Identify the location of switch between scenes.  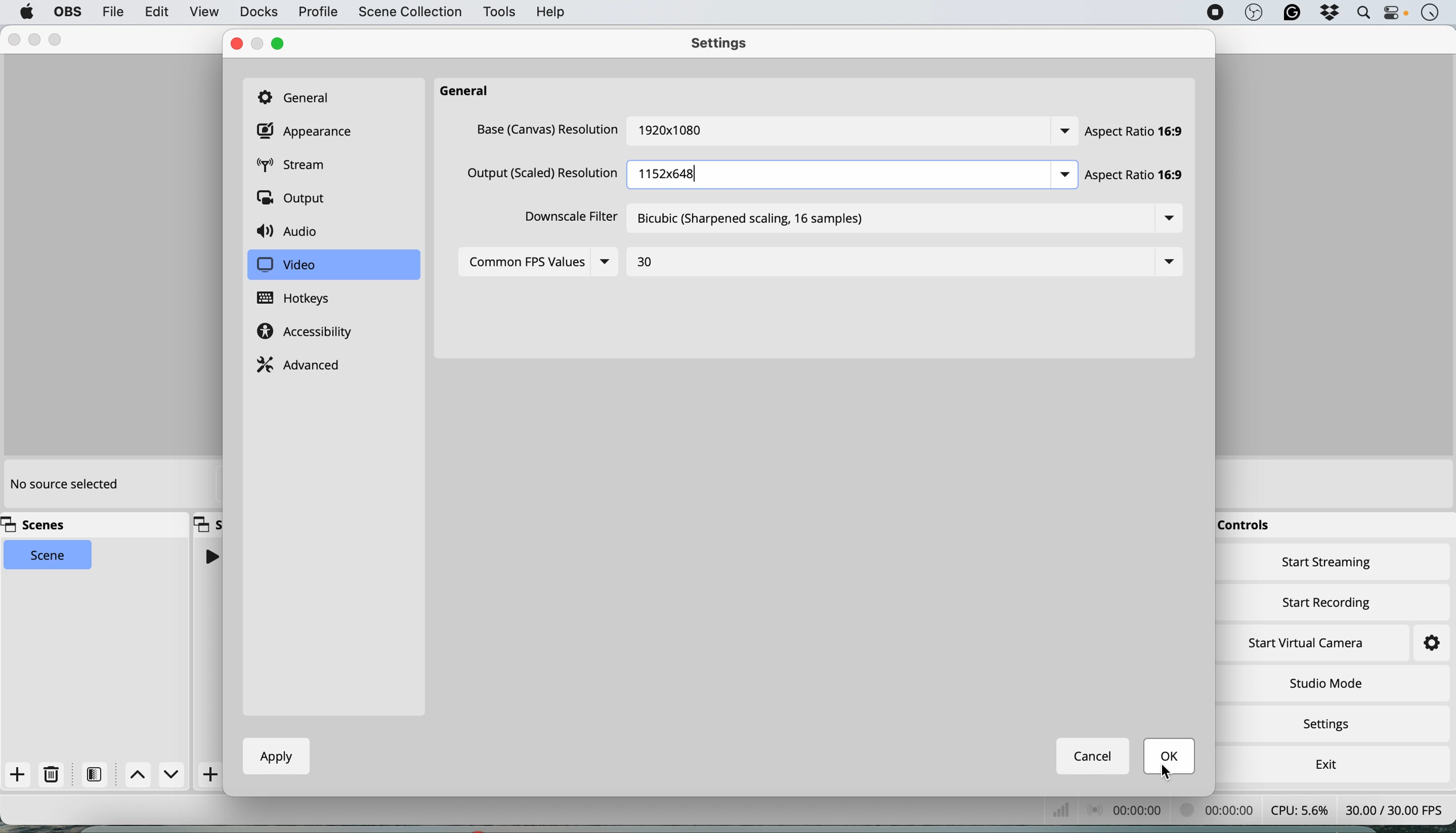
(156, 775).